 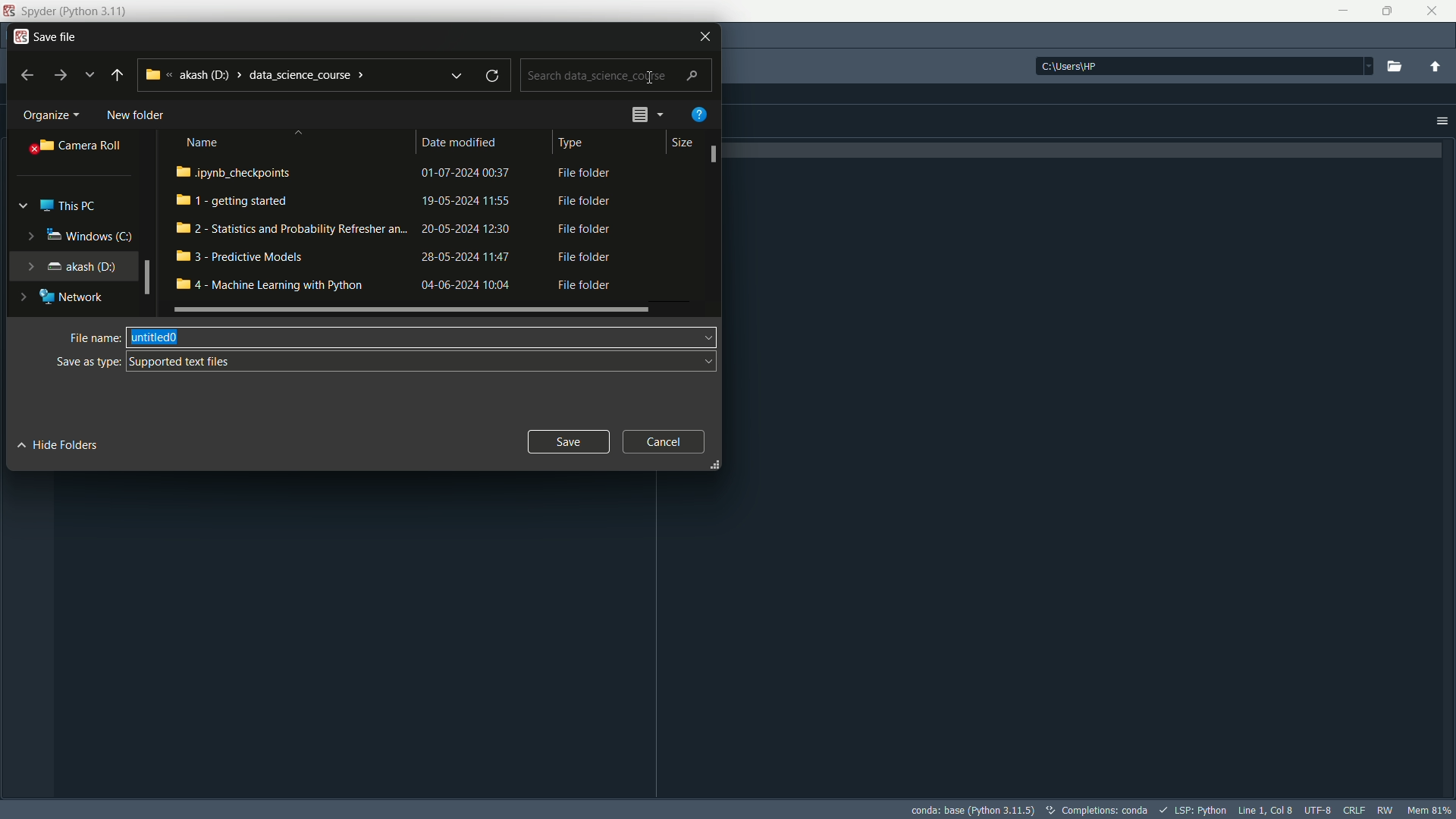 I want to click on cursor, so click(x=648, y=77).